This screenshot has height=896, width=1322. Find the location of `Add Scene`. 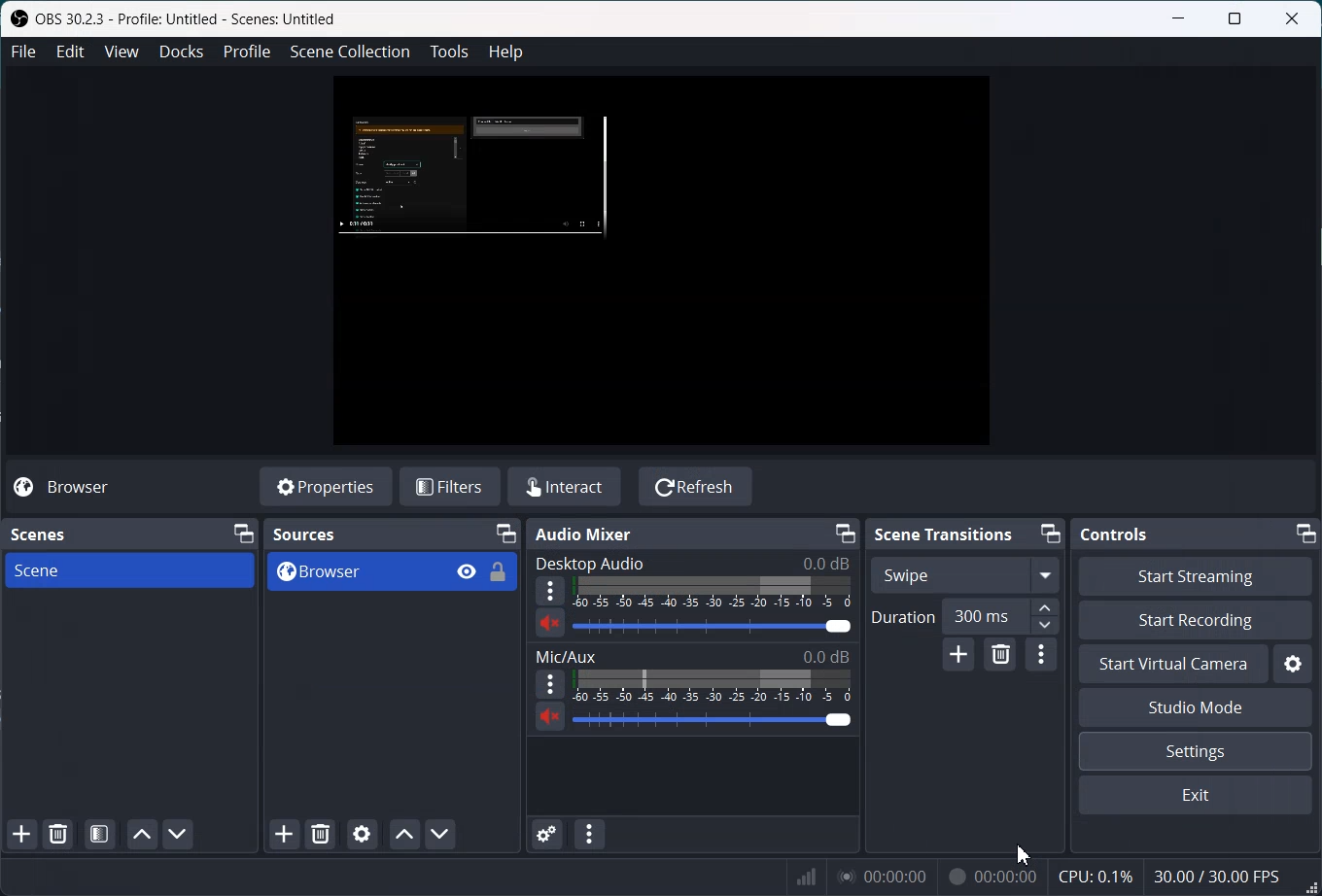

Add Scene is located at coordinates (21, 835).